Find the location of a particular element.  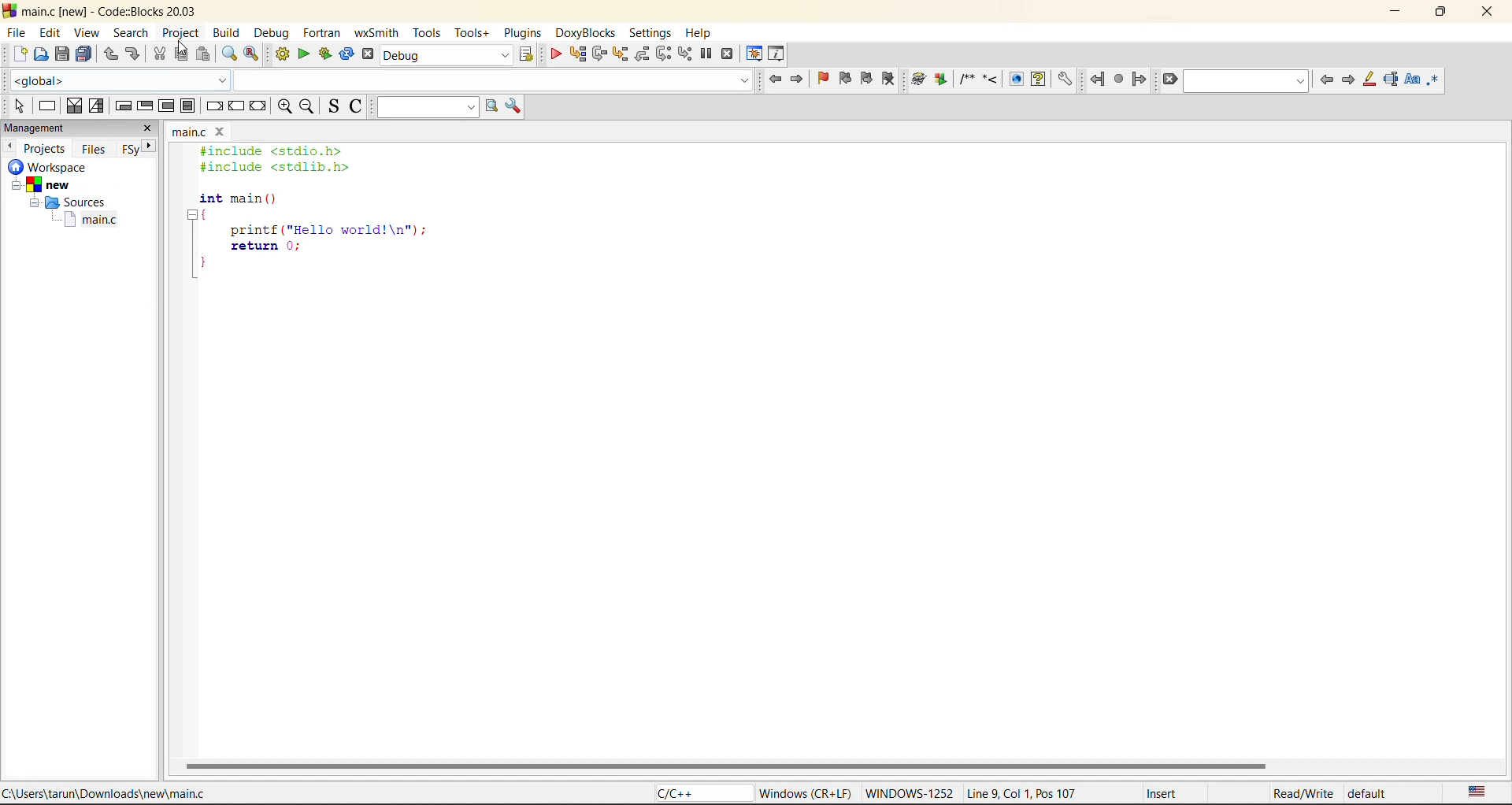

build and run is located at coordinates (324, 55).